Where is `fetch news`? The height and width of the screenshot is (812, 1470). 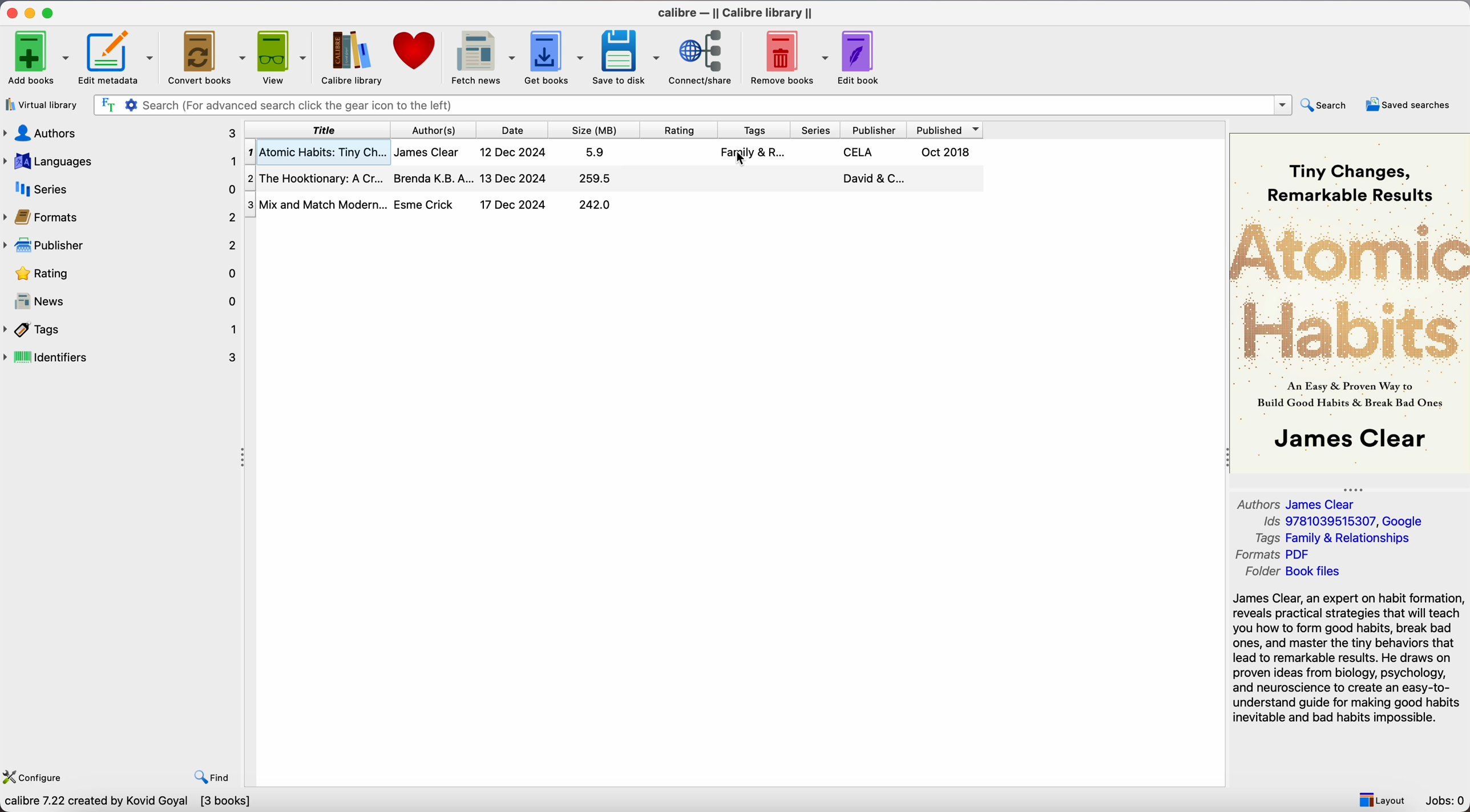
fetch news is located at coordinates (480, 56).